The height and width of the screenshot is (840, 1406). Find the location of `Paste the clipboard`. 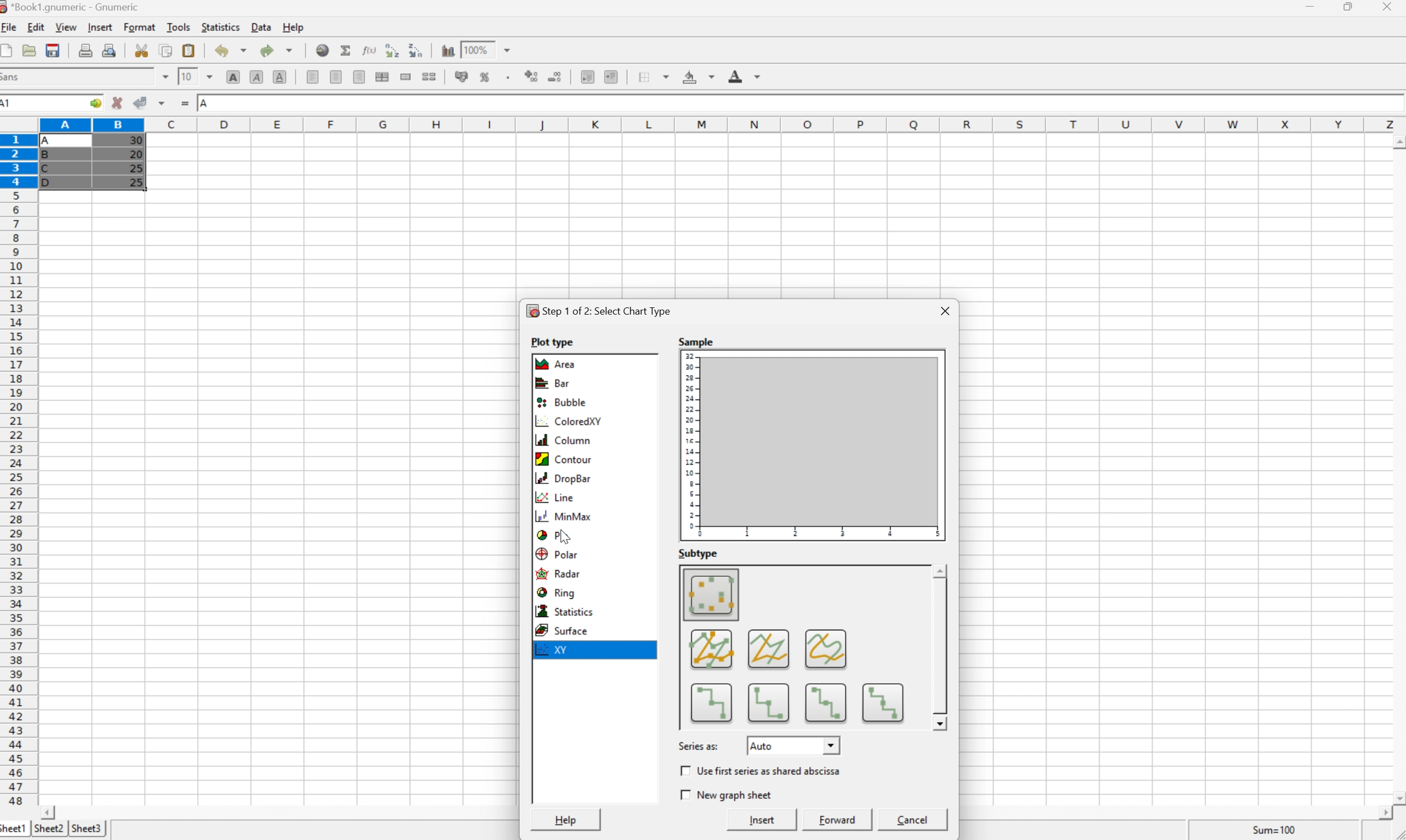

Paste the clipboard is located at coordinates (188, 50).